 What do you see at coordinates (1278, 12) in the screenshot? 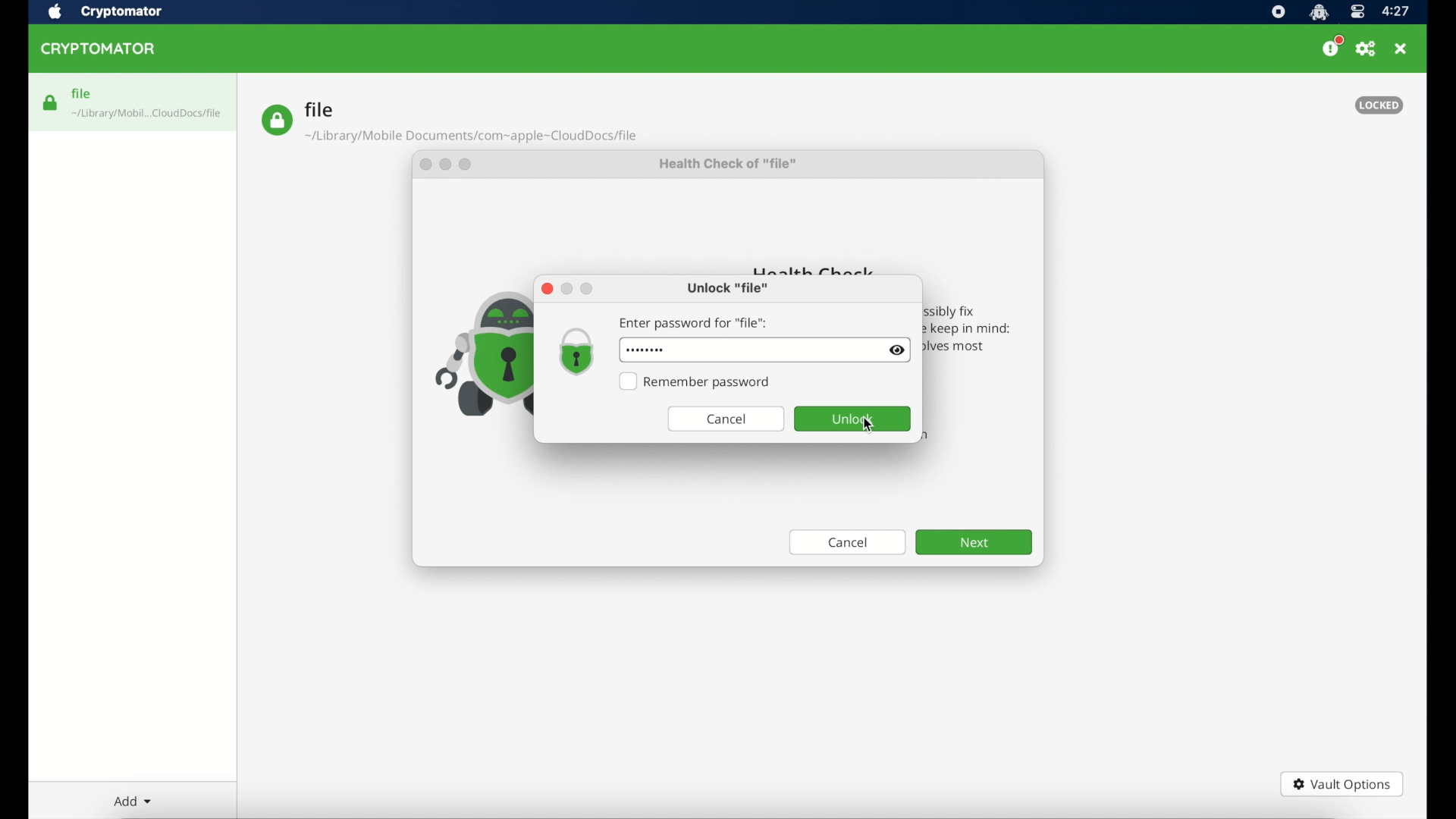
I see `screen recorder icon` at bounding box center [1278, 12].